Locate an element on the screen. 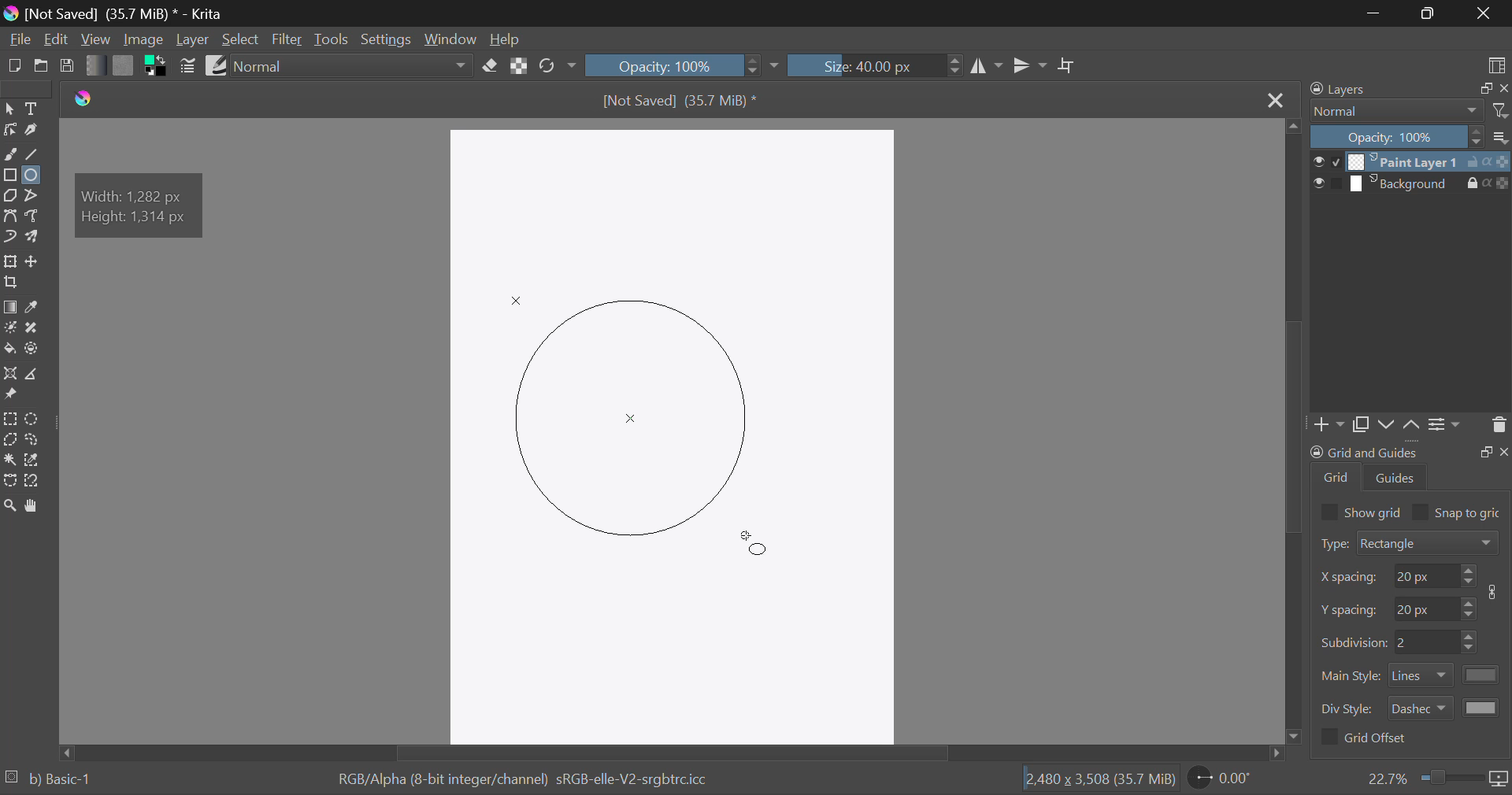 This screenshot has height=795, width=1512. Page Rotation is located at coordinates (1224, 780).